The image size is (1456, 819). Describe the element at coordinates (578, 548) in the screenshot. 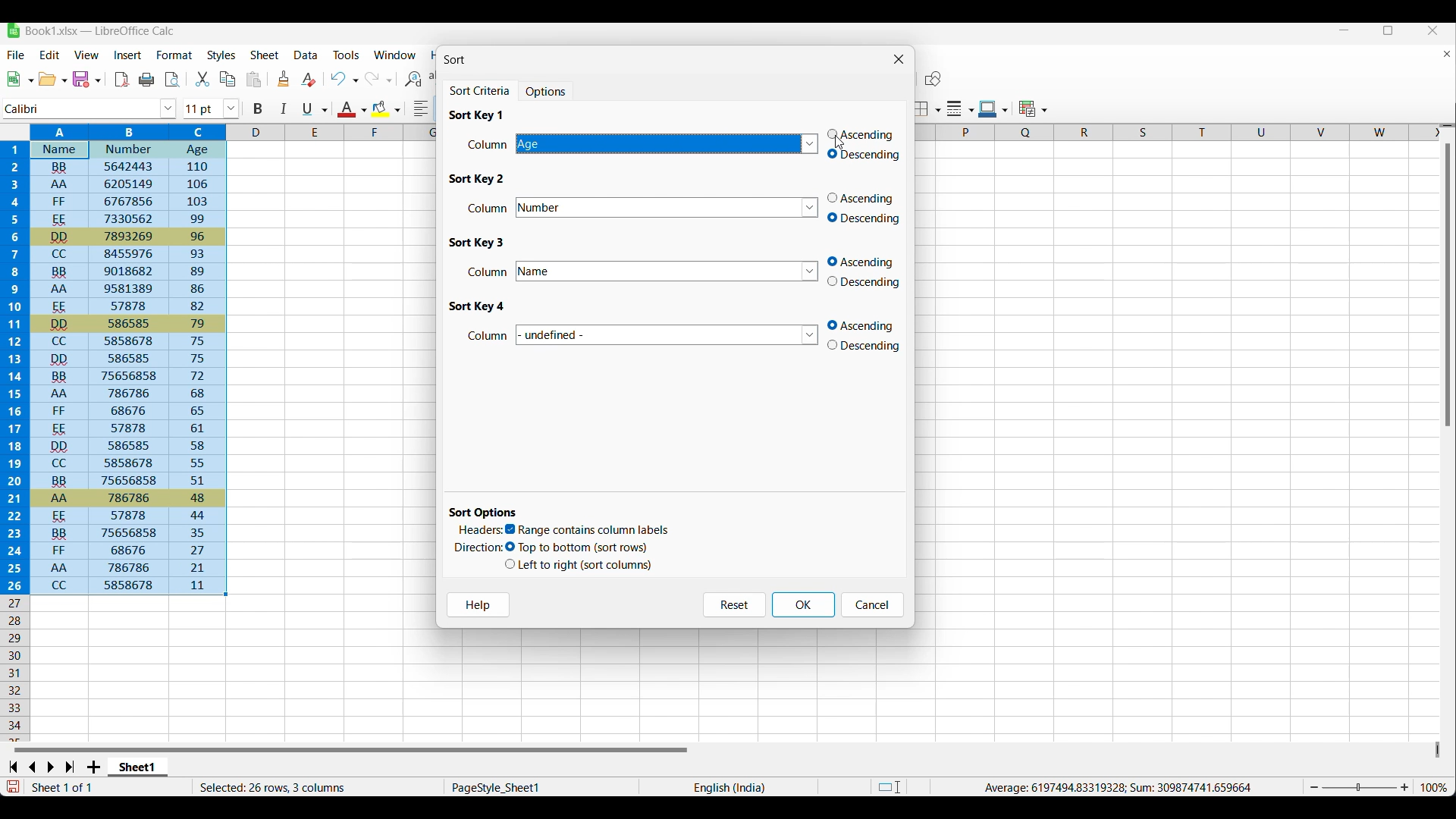

I see `Toggle on for Top to bottom sort for rows` at that location.